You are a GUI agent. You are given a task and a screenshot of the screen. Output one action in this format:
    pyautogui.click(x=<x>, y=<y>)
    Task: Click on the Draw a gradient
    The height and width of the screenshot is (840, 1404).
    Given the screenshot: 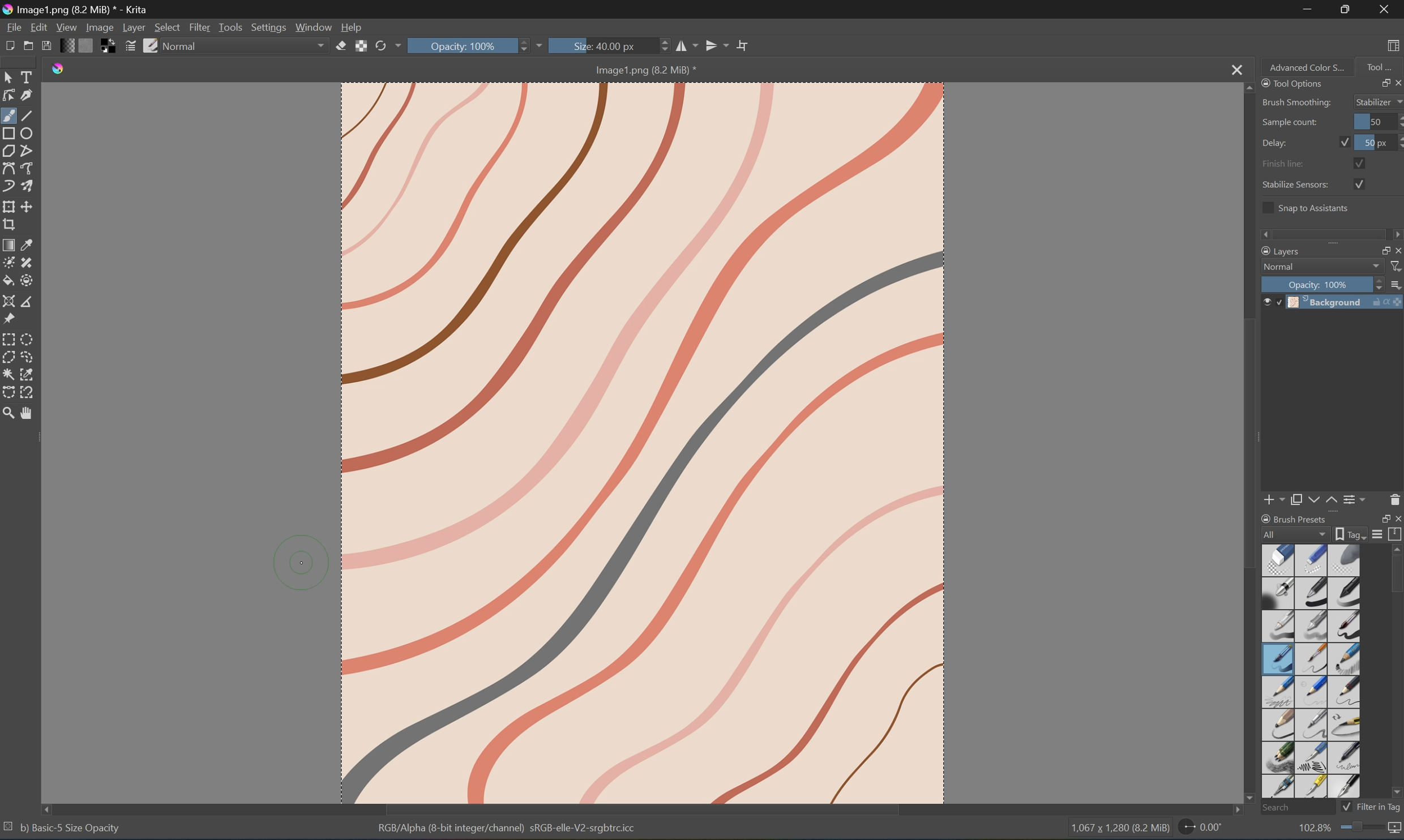 What is the action you would take?
    pyautogui.click(x=10, y=244)
    